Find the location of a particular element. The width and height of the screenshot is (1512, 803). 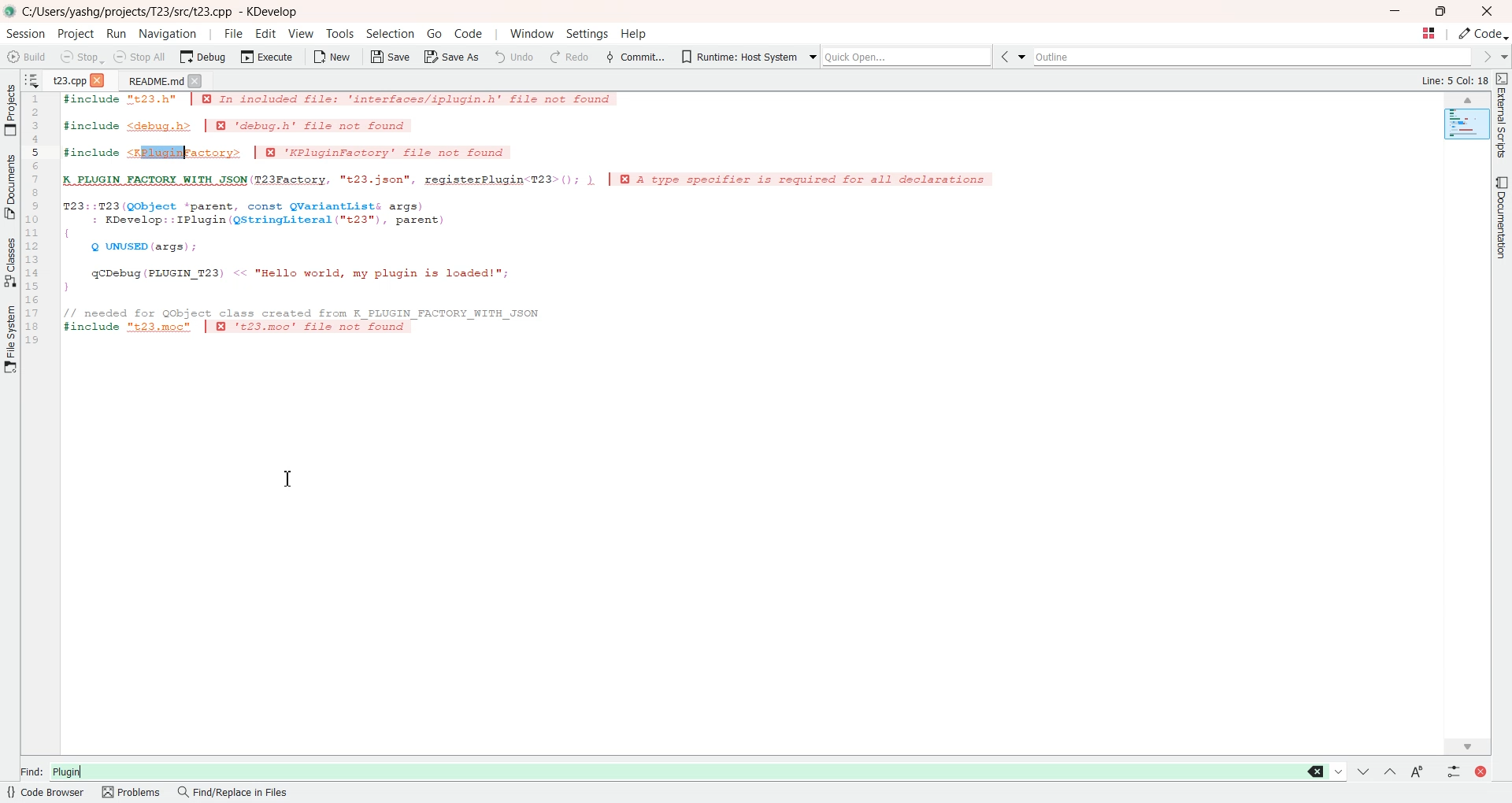

include “t23.h" | W@ In included file: 'interfaces/iplugin.h’ file not found
include sdebug.h> | B 'debug.h’ file not found
include <KPluginFactory> | B 'KPluginFactory' file not found
_ PLUGIN FACTORY WITH JSON (T23Factory, "t23.json", registerPlugin<723>(); ) | B A type specifier is required for all declarations
23: :723 (QObject ‘parent, const QUariantListi args)
: KDevelop::IPlugin(Q@StringLiteral ("t23"), parent)
Q UNUSED (args) ;
qCDebug (PLUGIN_T23) << "Hello world, my plugin is loaded!";
/ needed for Qobject class created from K_PLUGIN FACTORY WITH_JSON
include "t23.moc” | @ '¢23.moc’ file not found is located at coordinates (539, 223).